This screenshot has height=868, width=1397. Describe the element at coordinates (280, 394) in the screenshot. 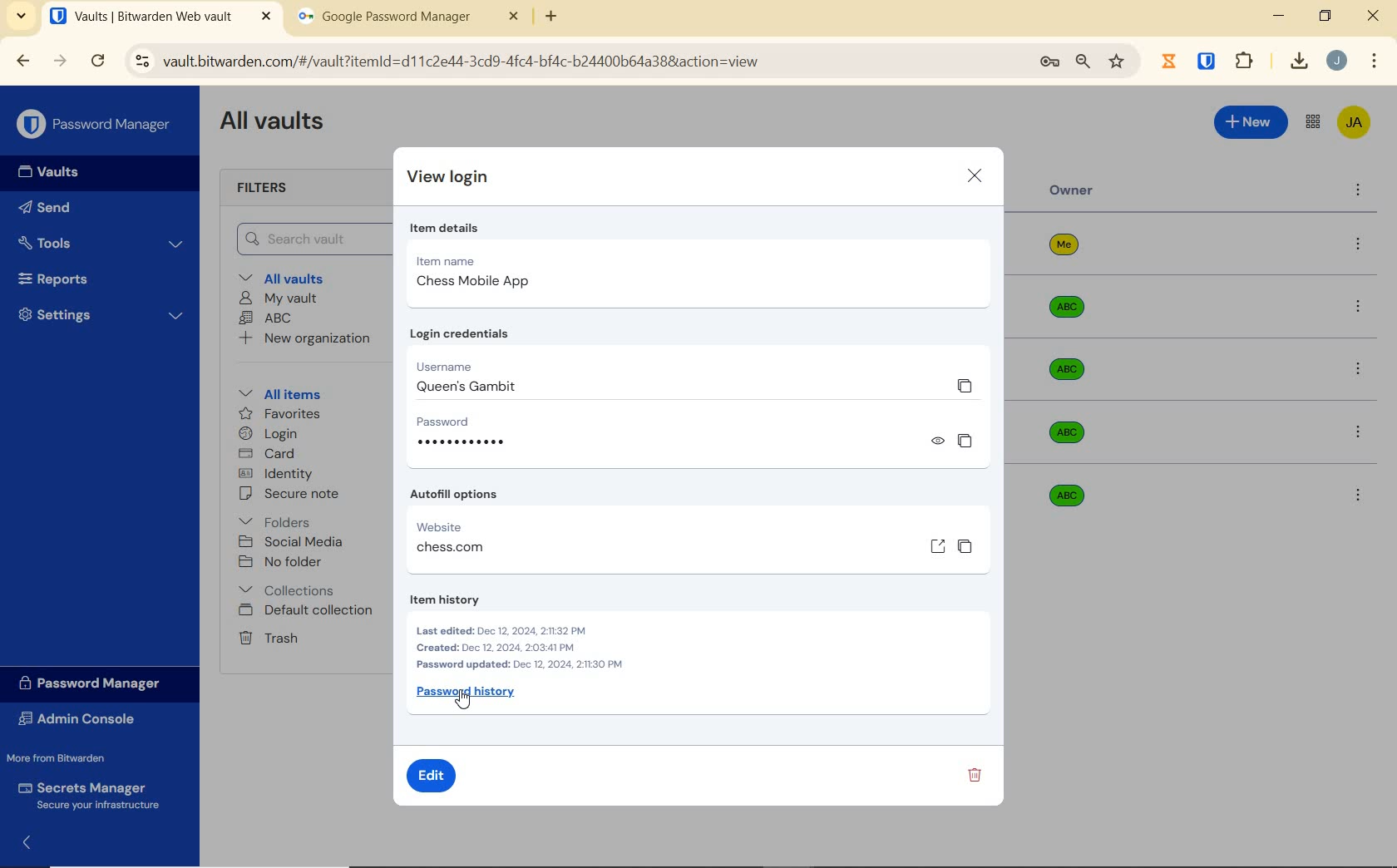

I see `All items` at that location.